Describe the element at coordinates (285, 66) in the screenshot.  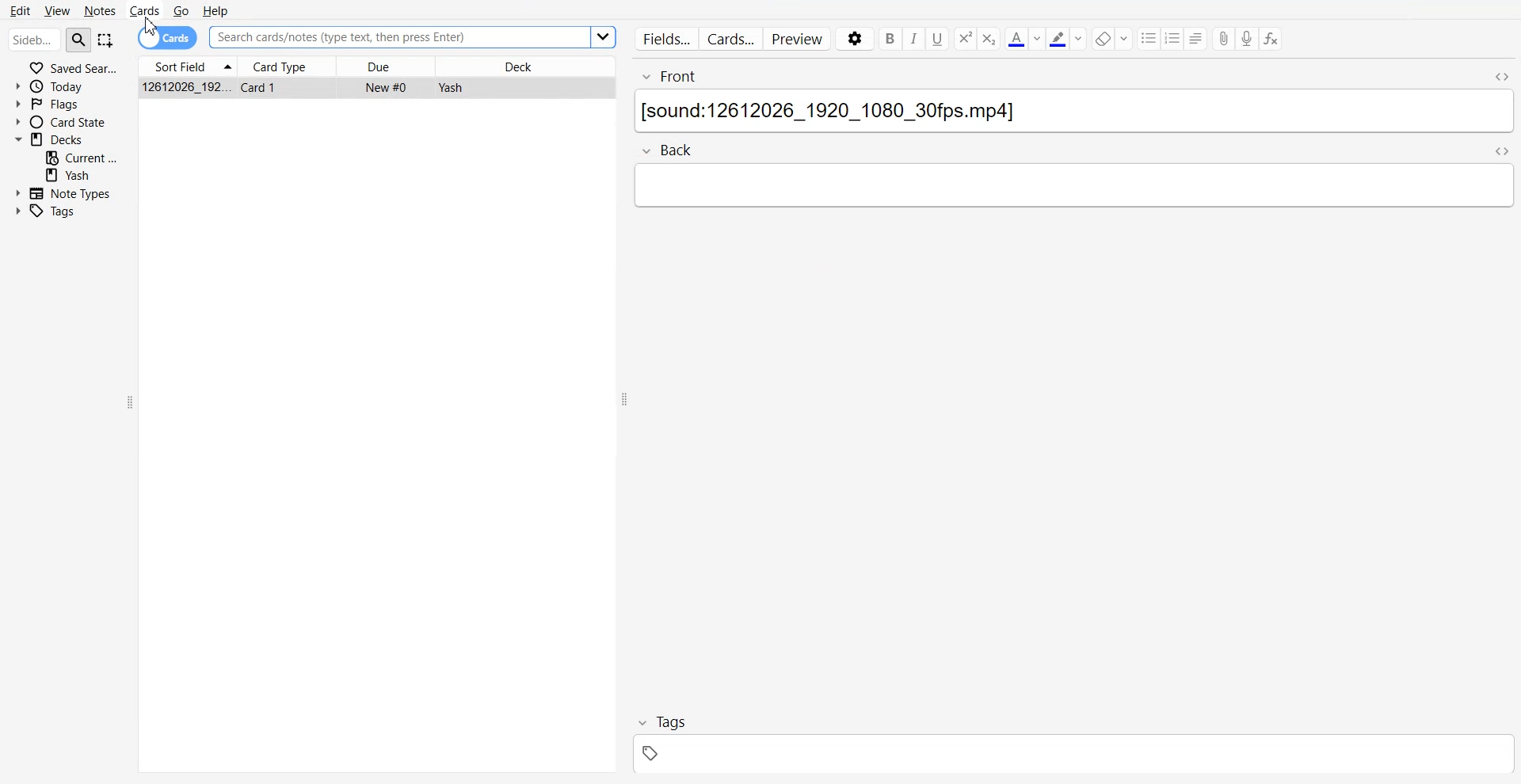
I see `Card Type` at that location.